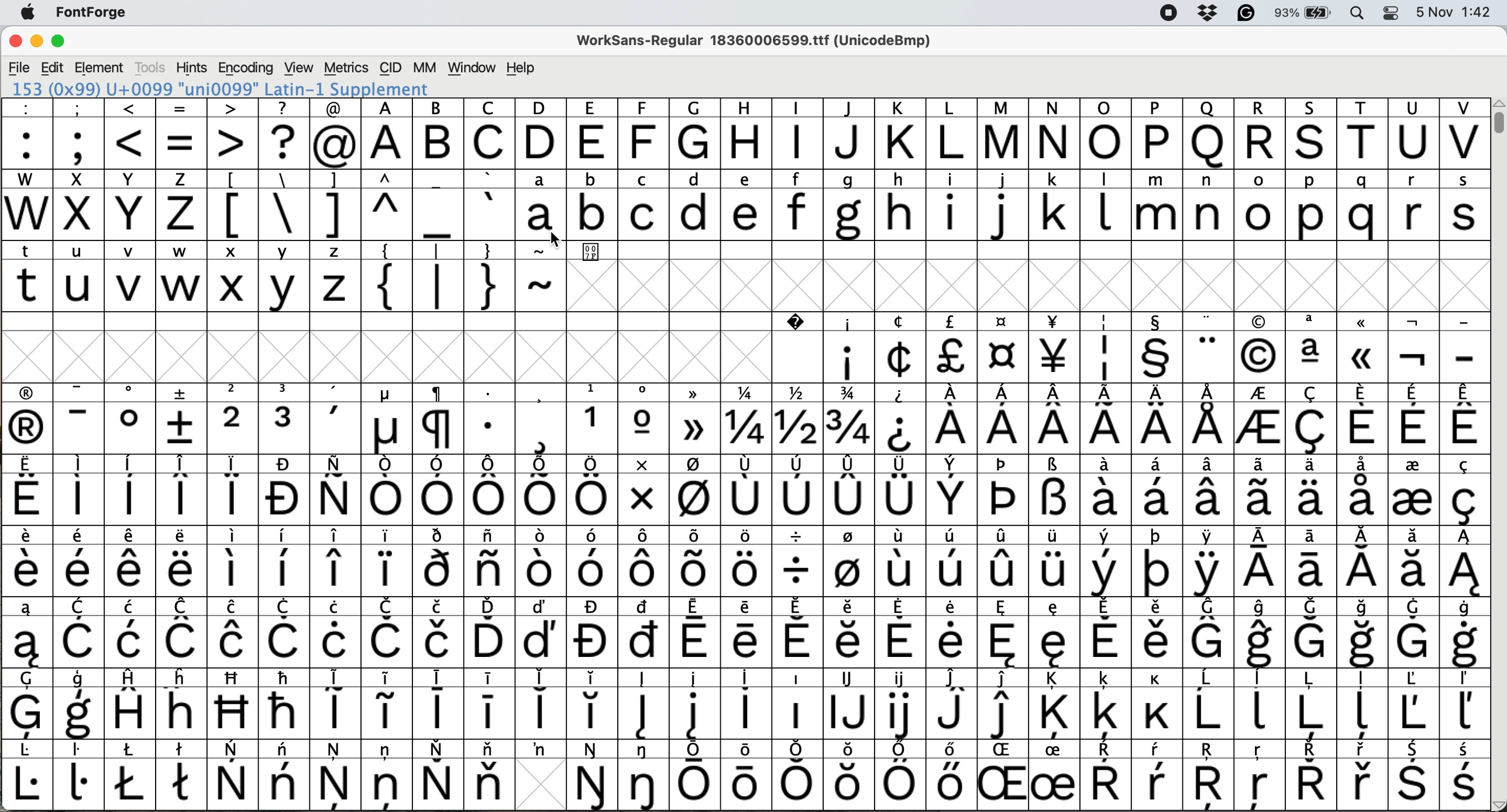  I want to click on symbol, so click(1158, 490).